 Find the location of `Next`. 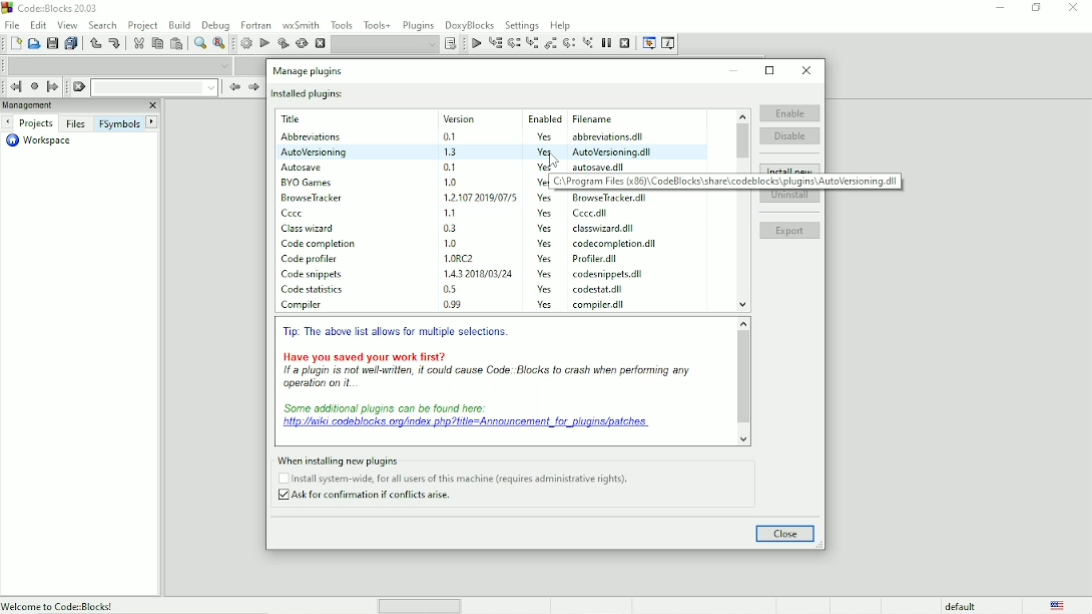

Next is located at coordinates (7, 122).